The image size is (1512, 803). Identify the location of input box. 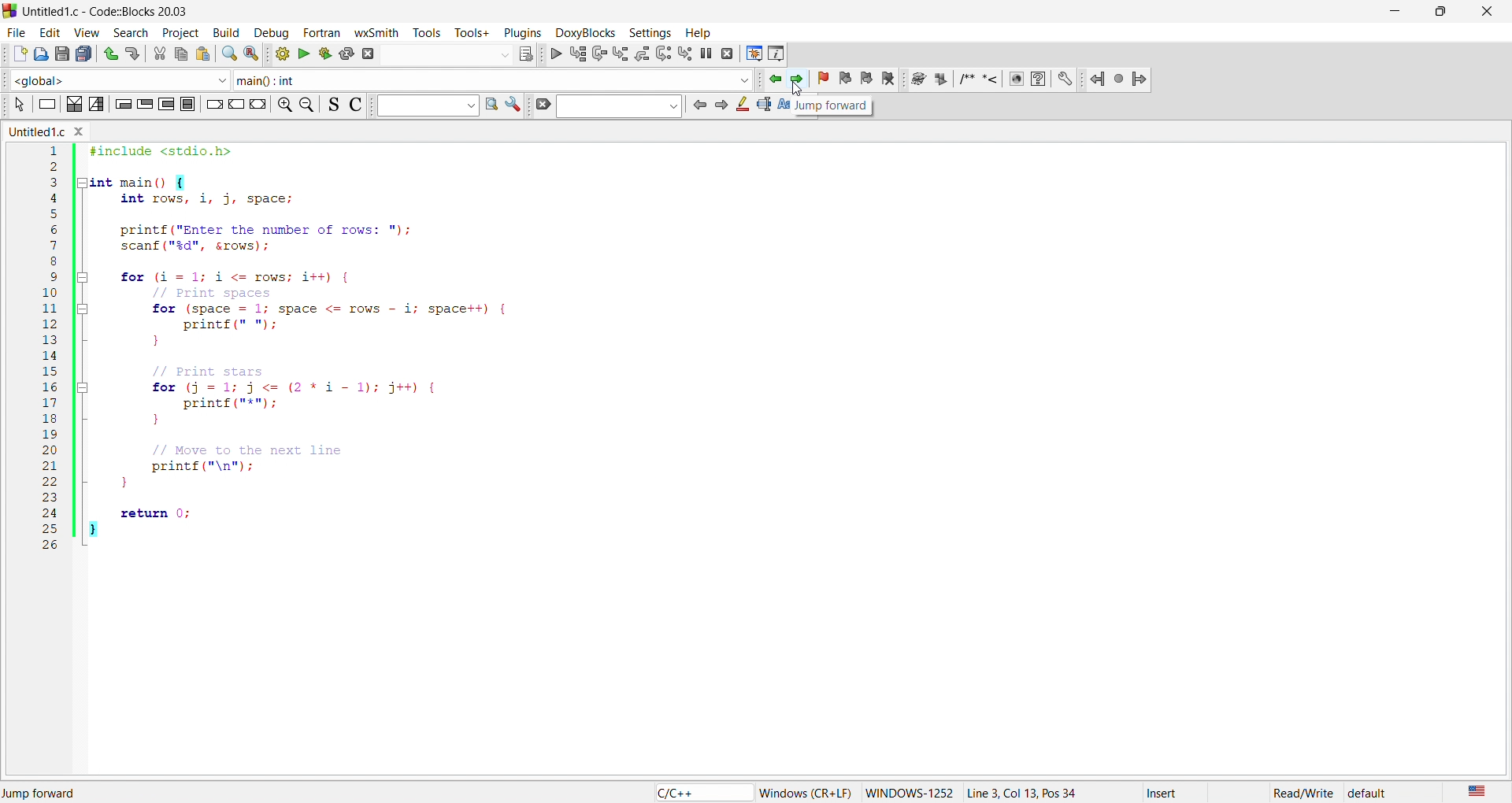
(424, 105).